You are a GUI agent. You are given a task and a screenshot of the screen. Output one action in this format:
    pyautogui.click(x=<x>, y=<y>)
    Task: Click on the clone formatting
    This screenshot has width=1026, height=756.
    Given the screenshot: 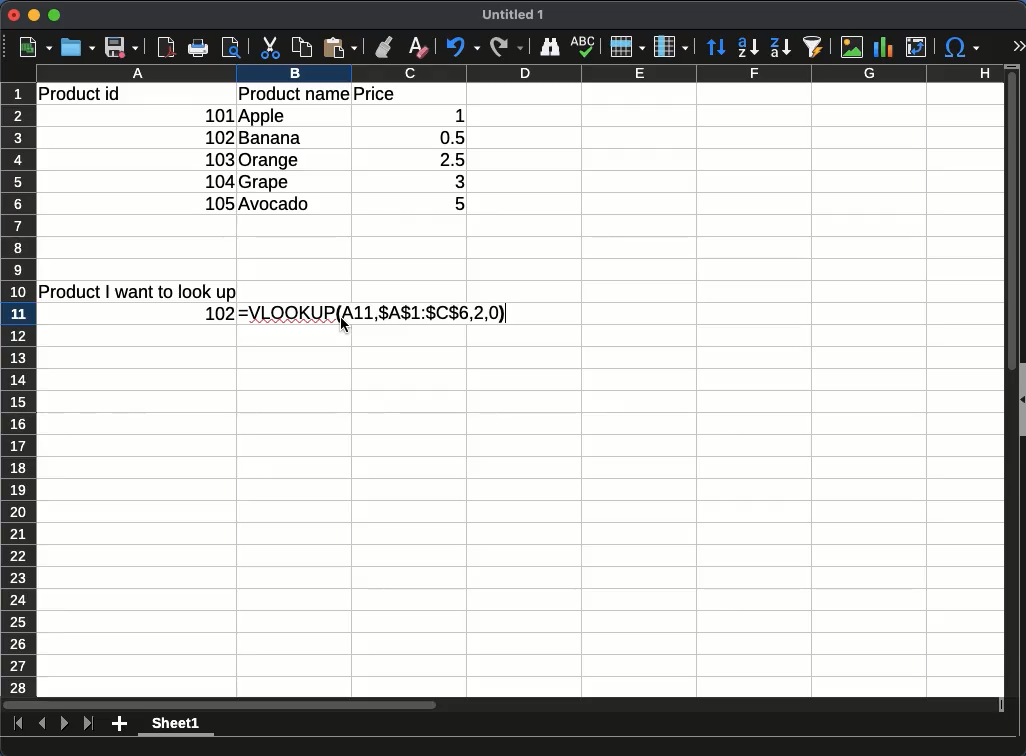 What is the action you would take?
    pyautogui.click(x=382, y=47)
    